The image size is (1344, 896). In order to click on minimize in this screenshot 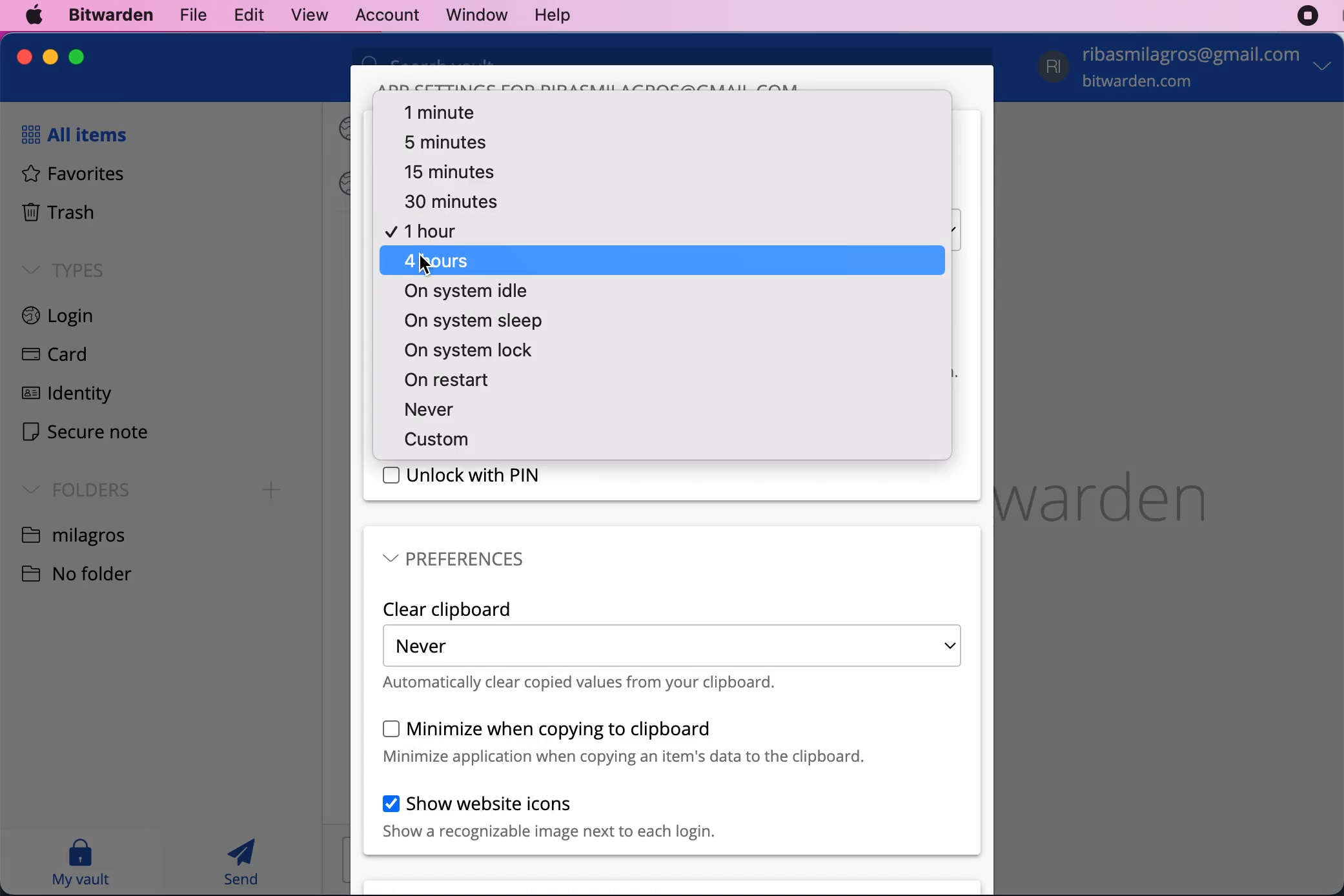, I will do `click(50, 57)`.